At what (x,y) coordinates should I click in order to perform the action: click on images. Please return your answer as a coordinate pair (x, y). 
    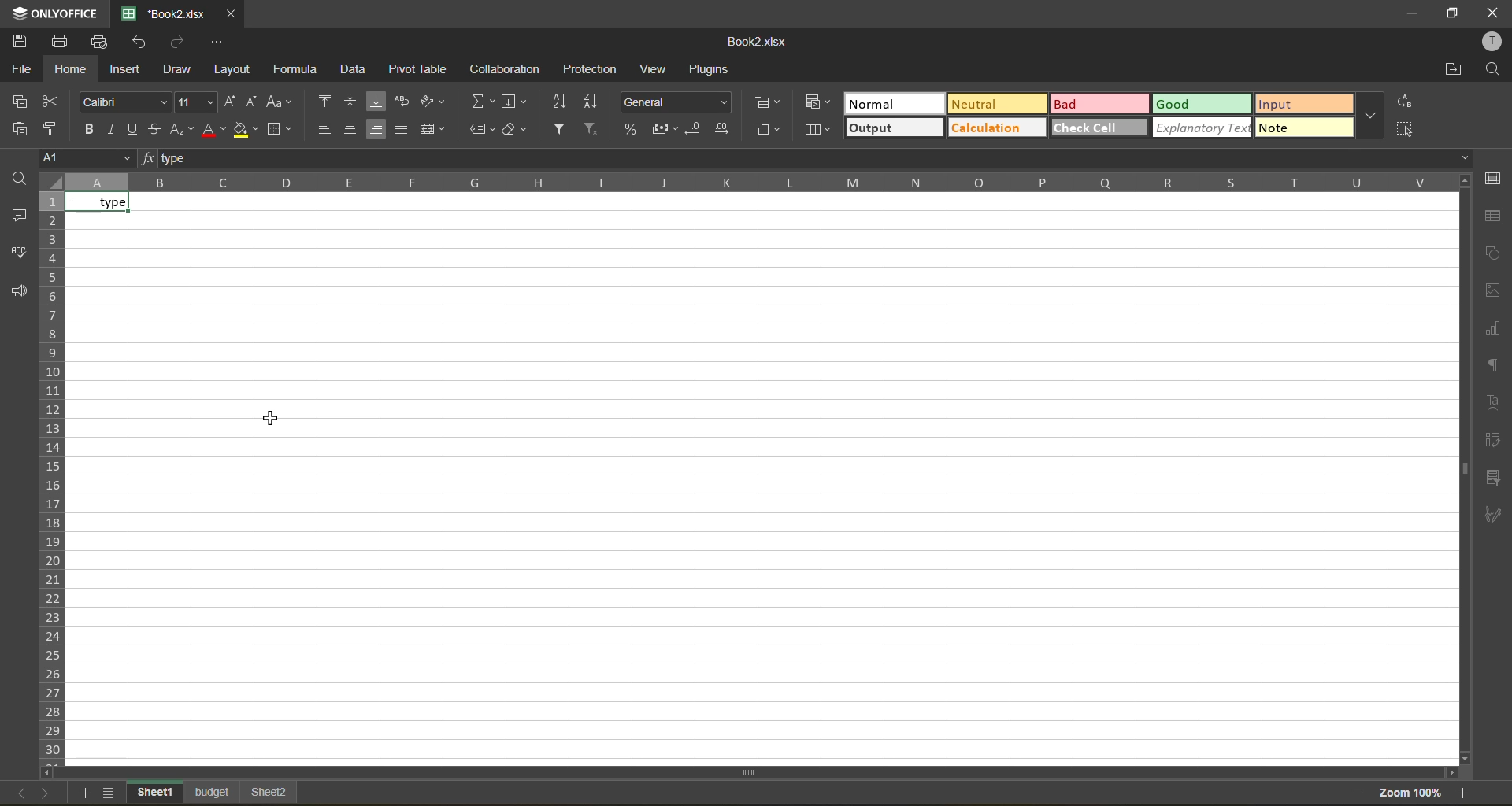
    Looking at the image, I should click on (1494, 291).